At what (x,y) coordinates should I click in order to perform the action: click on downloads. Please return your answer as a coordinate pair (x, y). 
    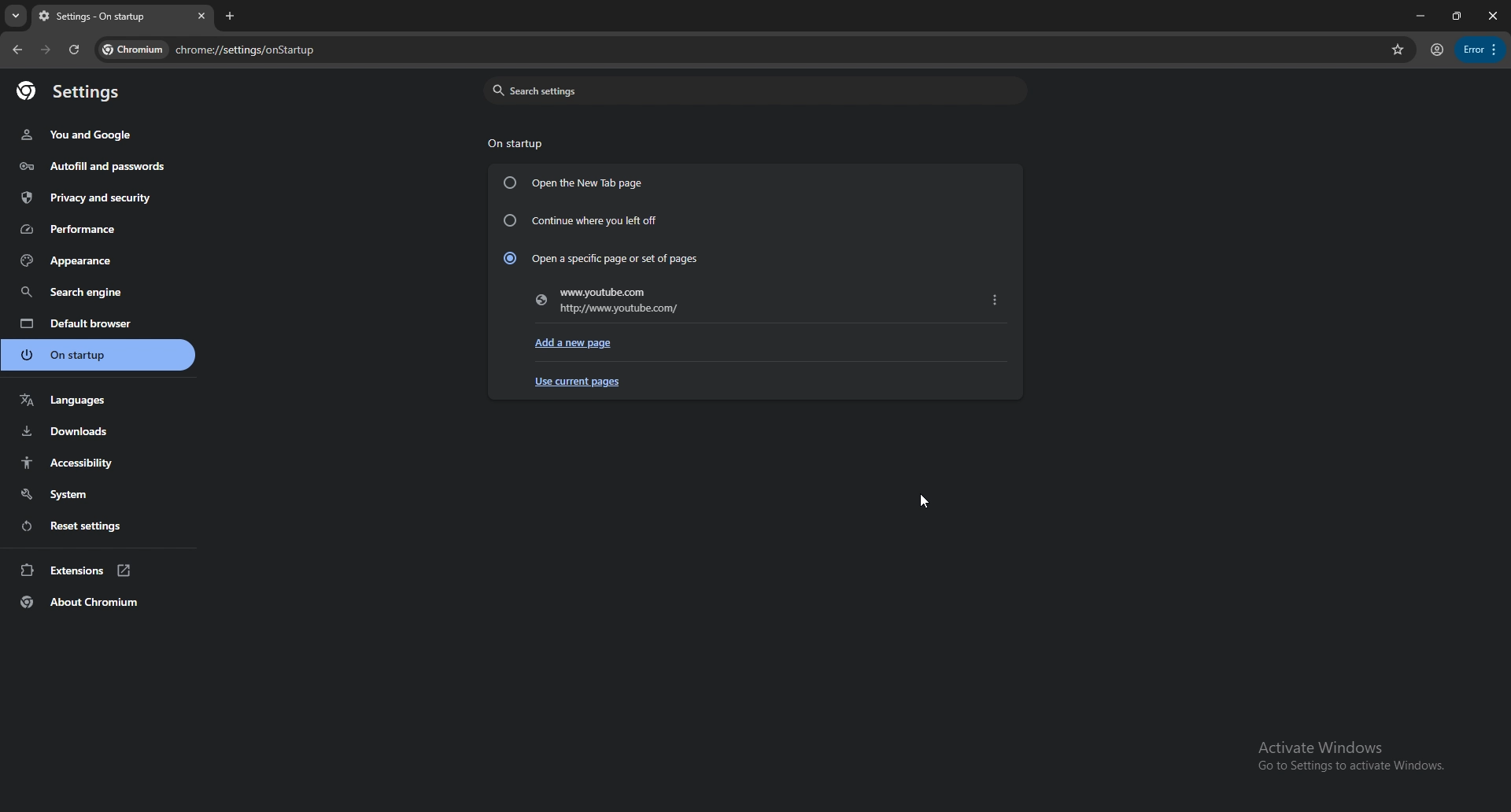
    Looking at the image, I should click on (97, 431).